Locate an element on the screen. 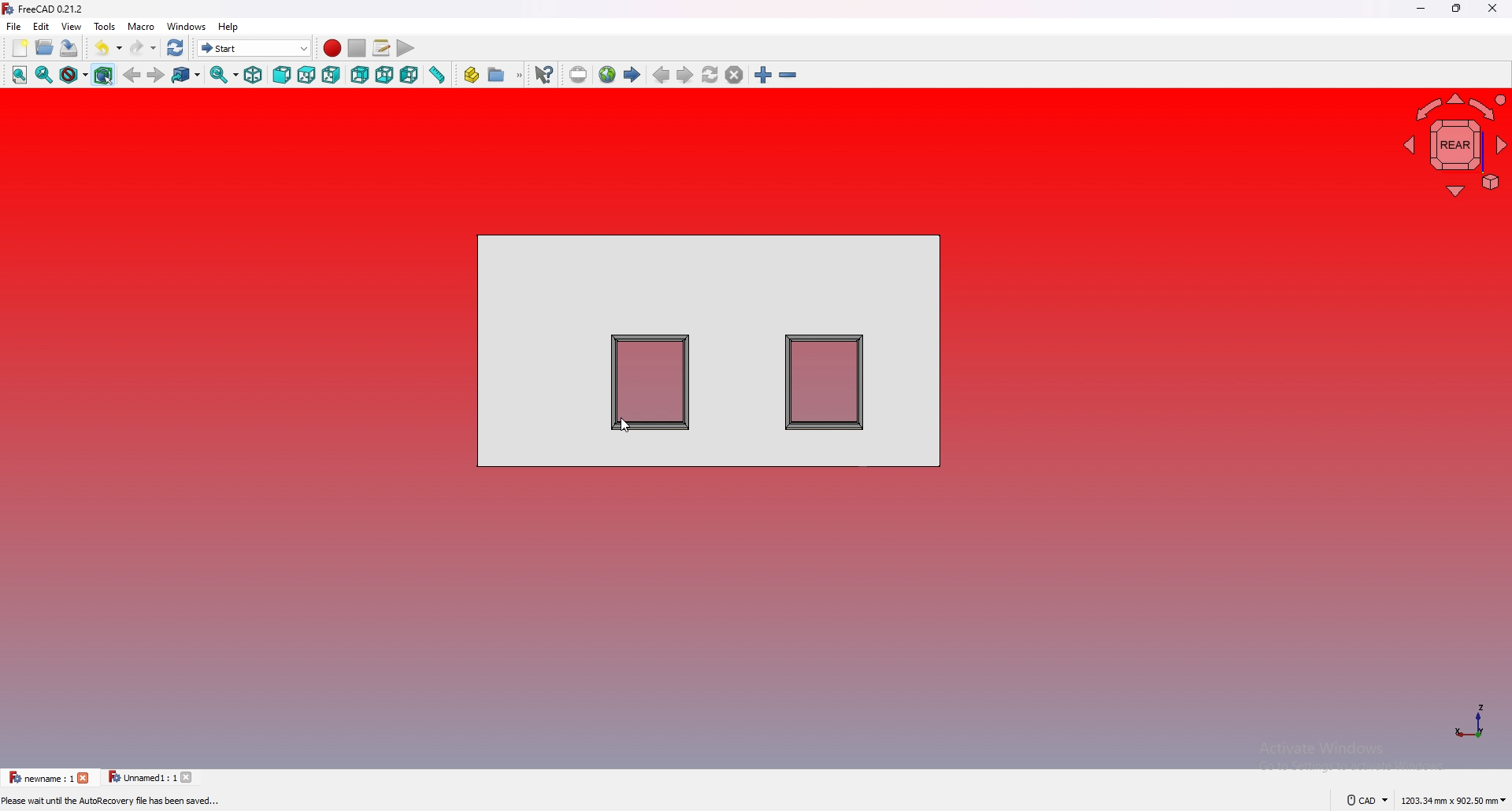 Image resolution: width=1512 pixels, height=811 pixels. tab 1 is located at coordinates (39, 778).